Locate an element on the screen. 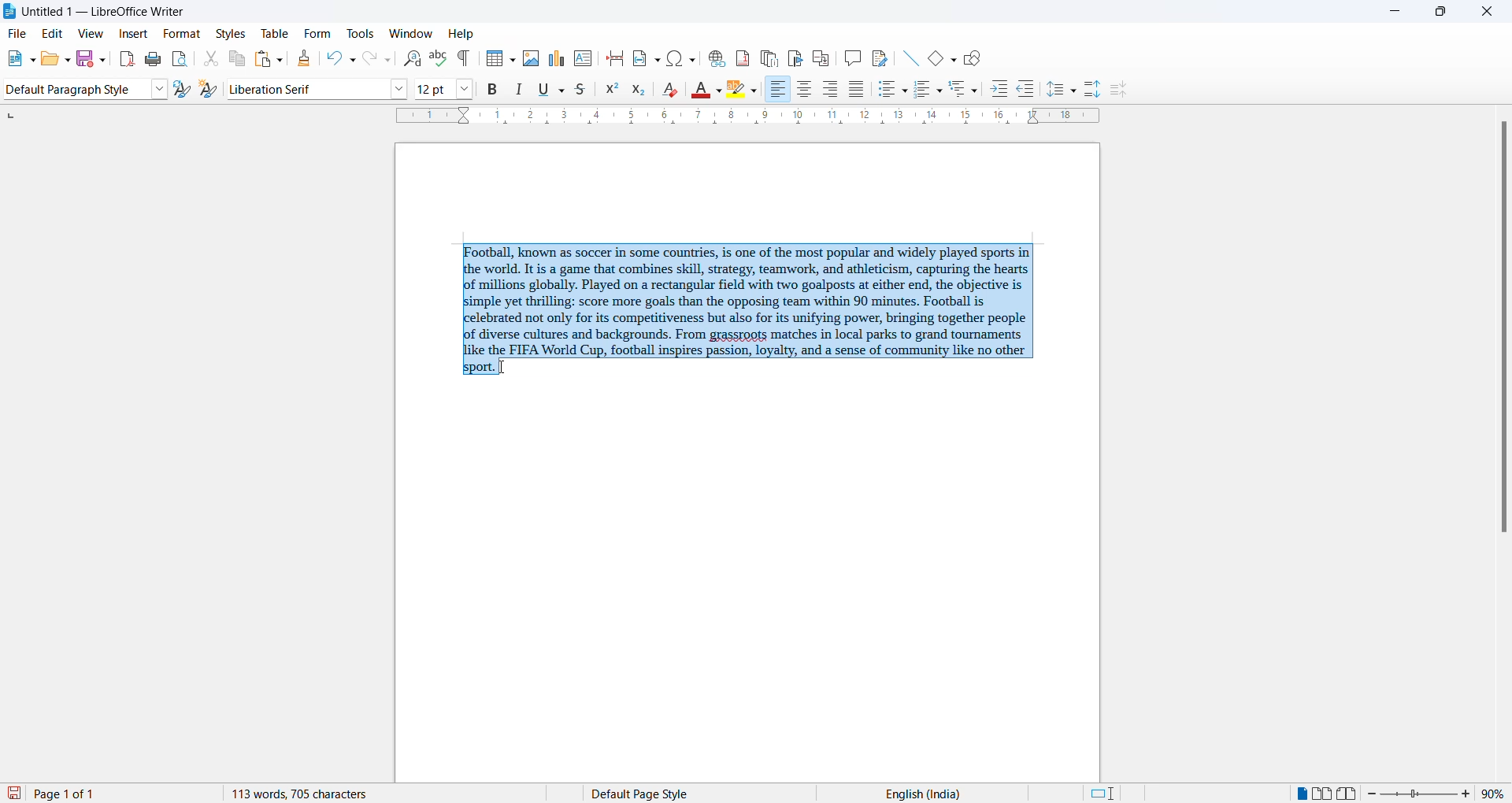 This screenshot has height=803, width=1512. page style is located at coordinates (721, 794).